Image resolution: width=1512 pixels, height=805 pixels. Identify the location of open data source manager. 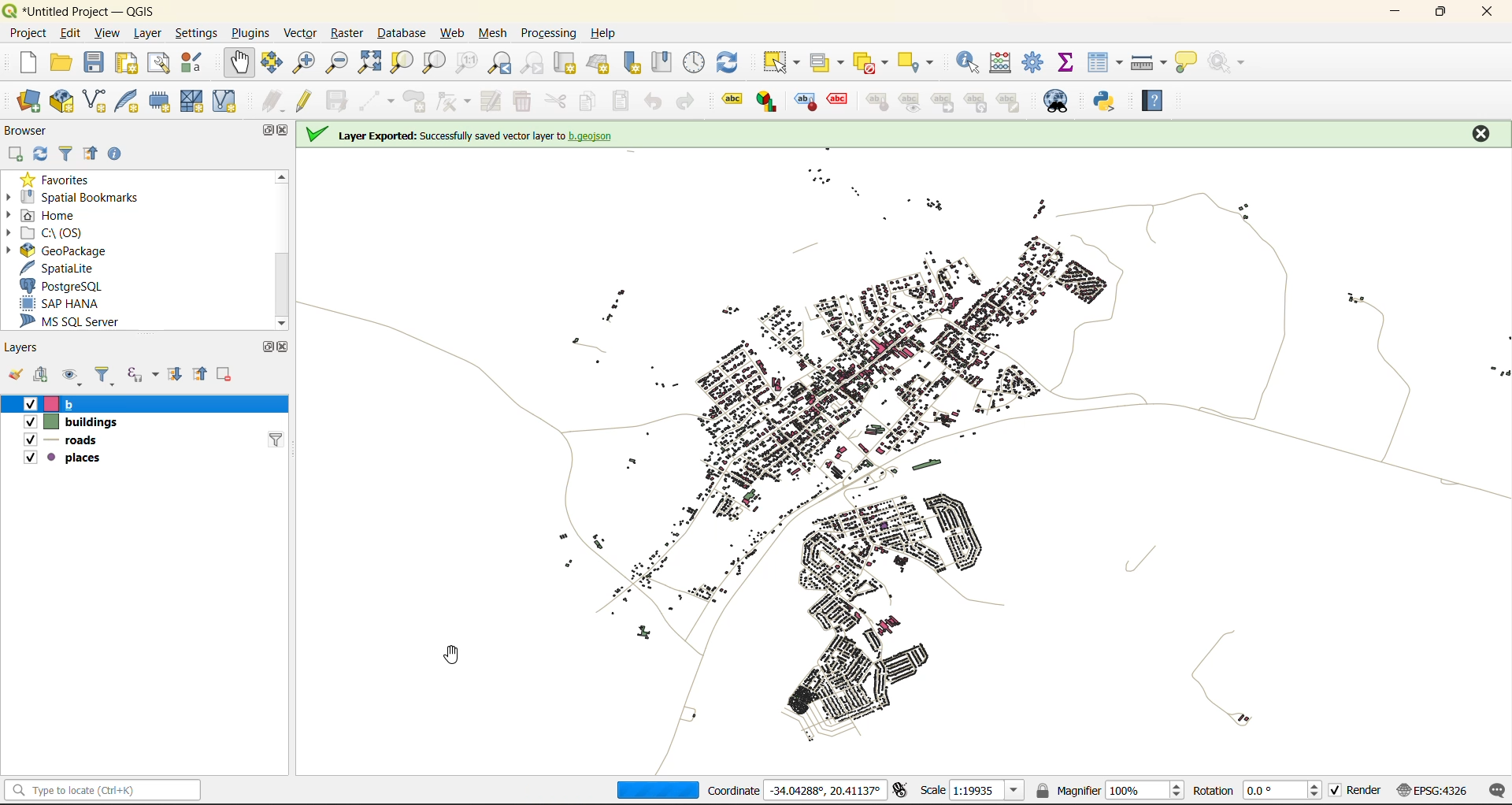
(32, 102).